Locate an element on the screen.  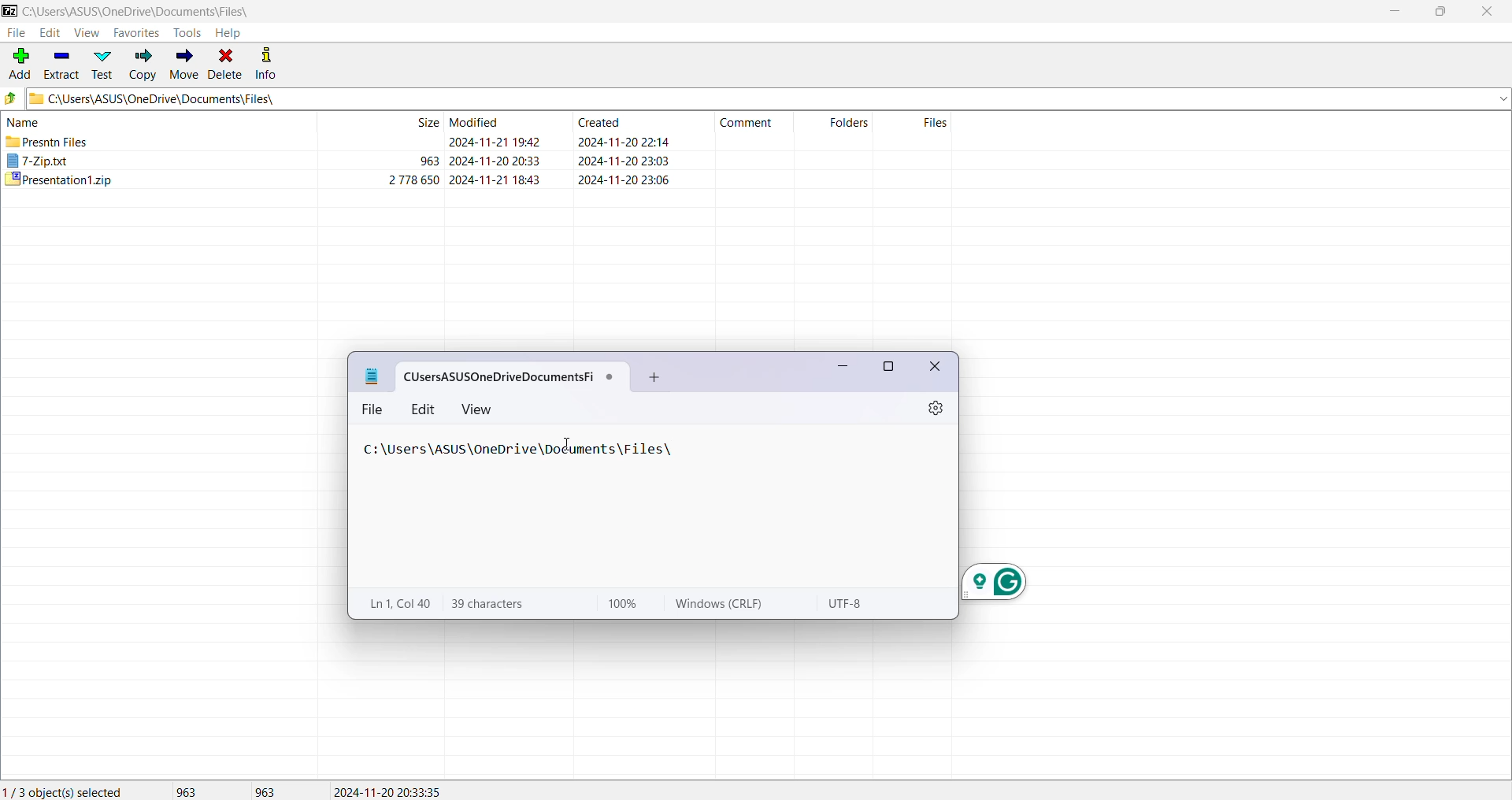
Ln1, Col 40 is located at coordinates (398, 602).